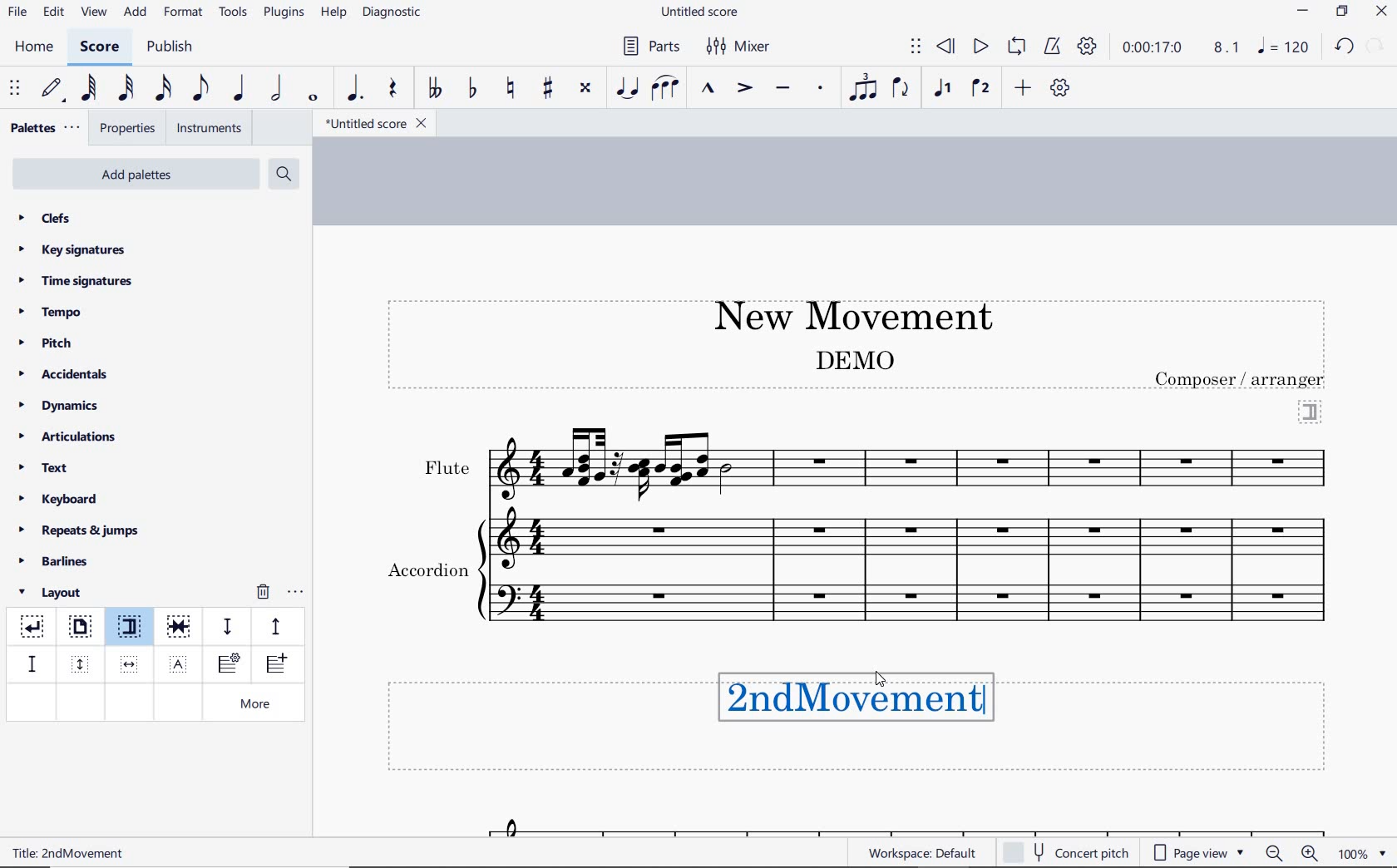 Image resolution: width=1397 pixels, height=868 pixels. Describe the element at coordinates (853, 359) in the screenshot. I see `text` at that location.